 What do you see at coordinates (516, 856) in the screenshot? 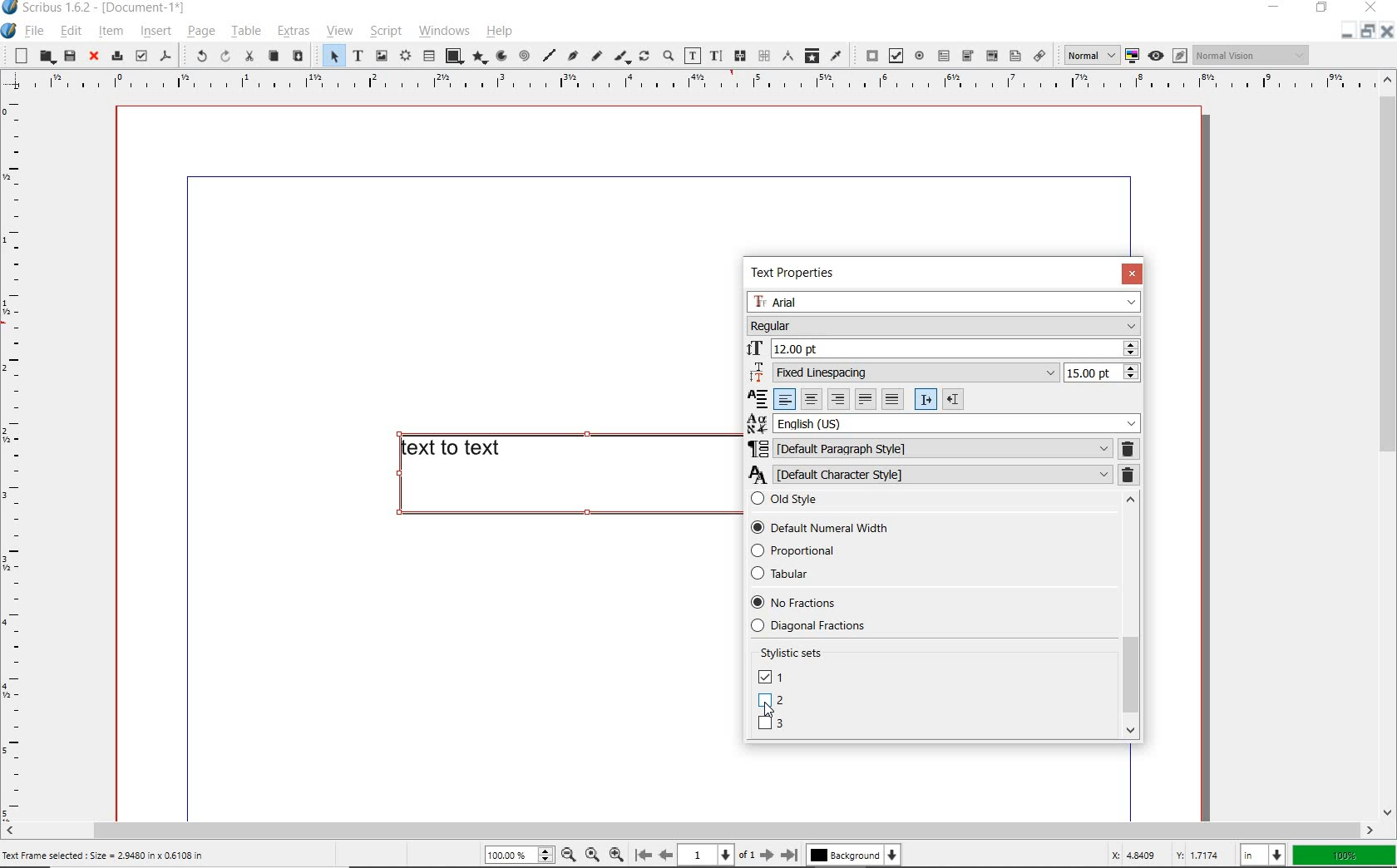
I see `100%` at bounding box center [516, 856].